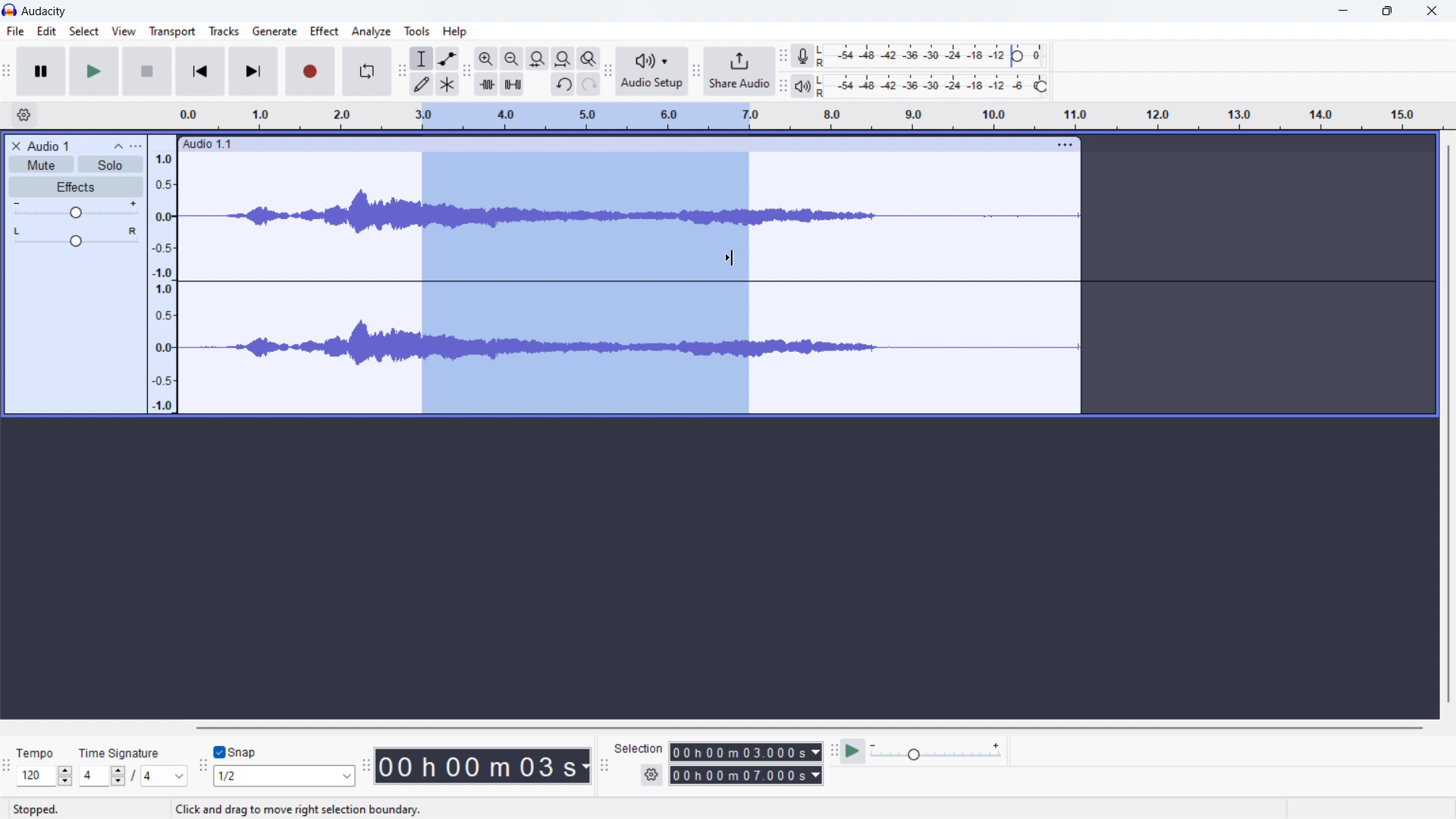 The image size is (1456, 819). What do you see at coordinates (366, 72) in the screenshot?
I see `enable looping` at bounding box center [366, 72].